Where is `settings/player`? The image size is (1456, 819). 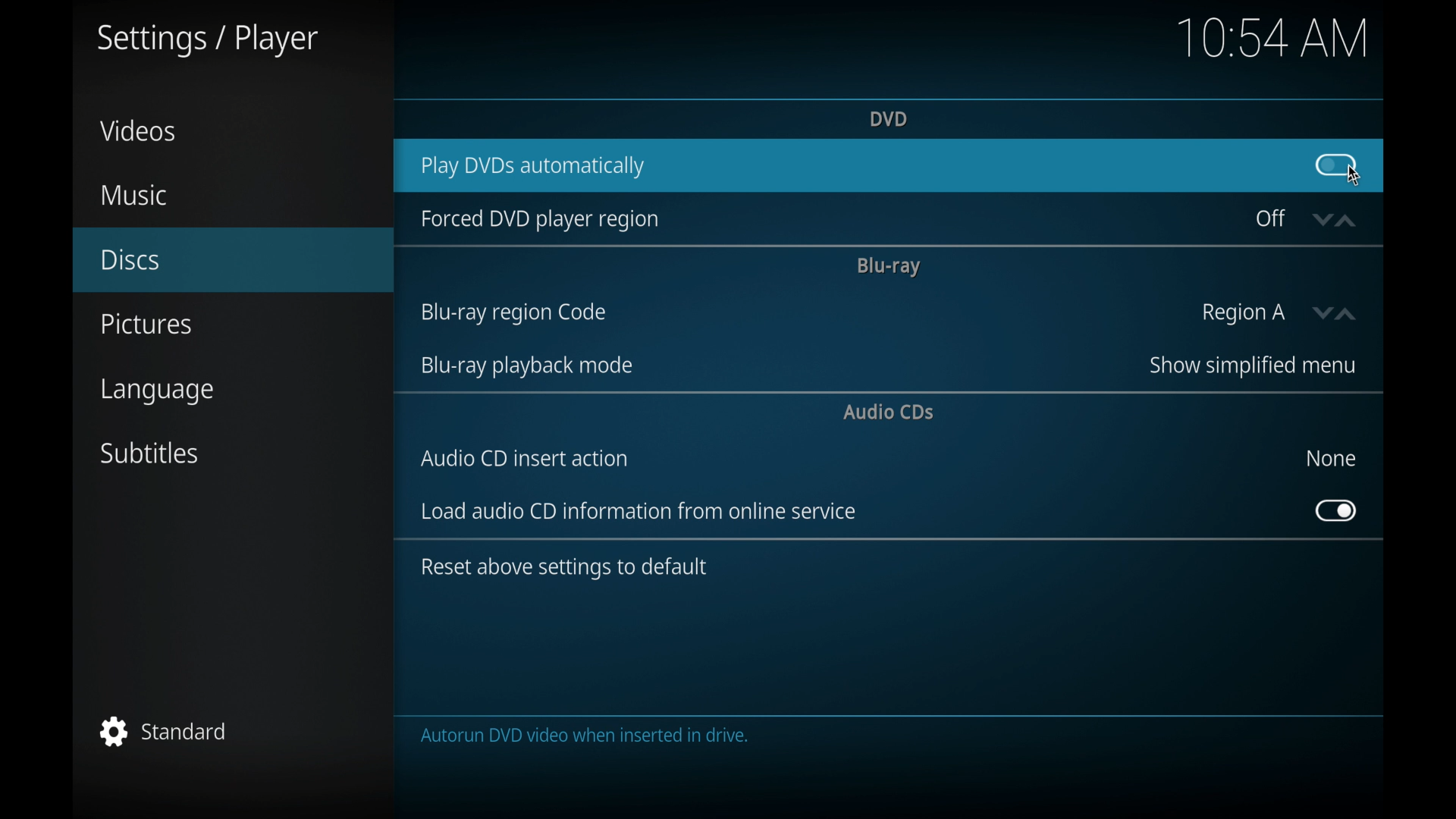
settings/player is located at coordinates (206, 41).